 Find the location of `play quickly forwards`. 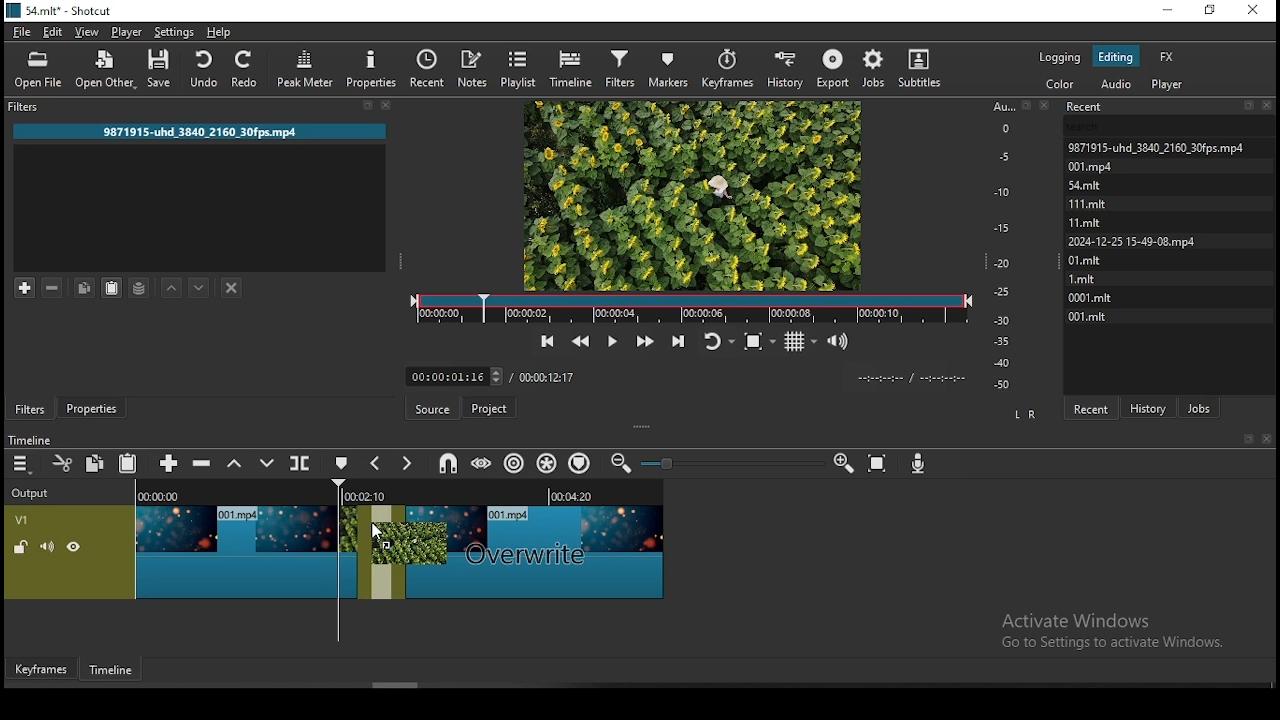

play quickly forwards is located at coordinates (642, 339).